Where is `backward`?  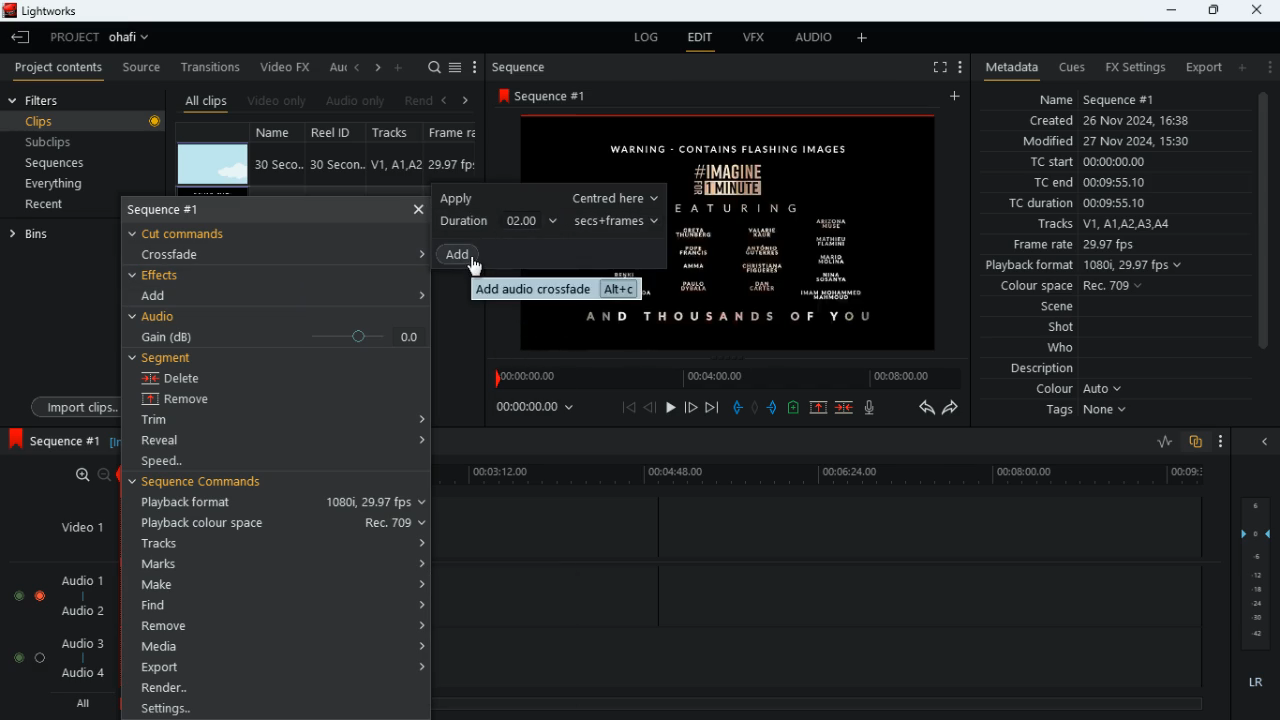 backward is located at coordinates (926, 407).